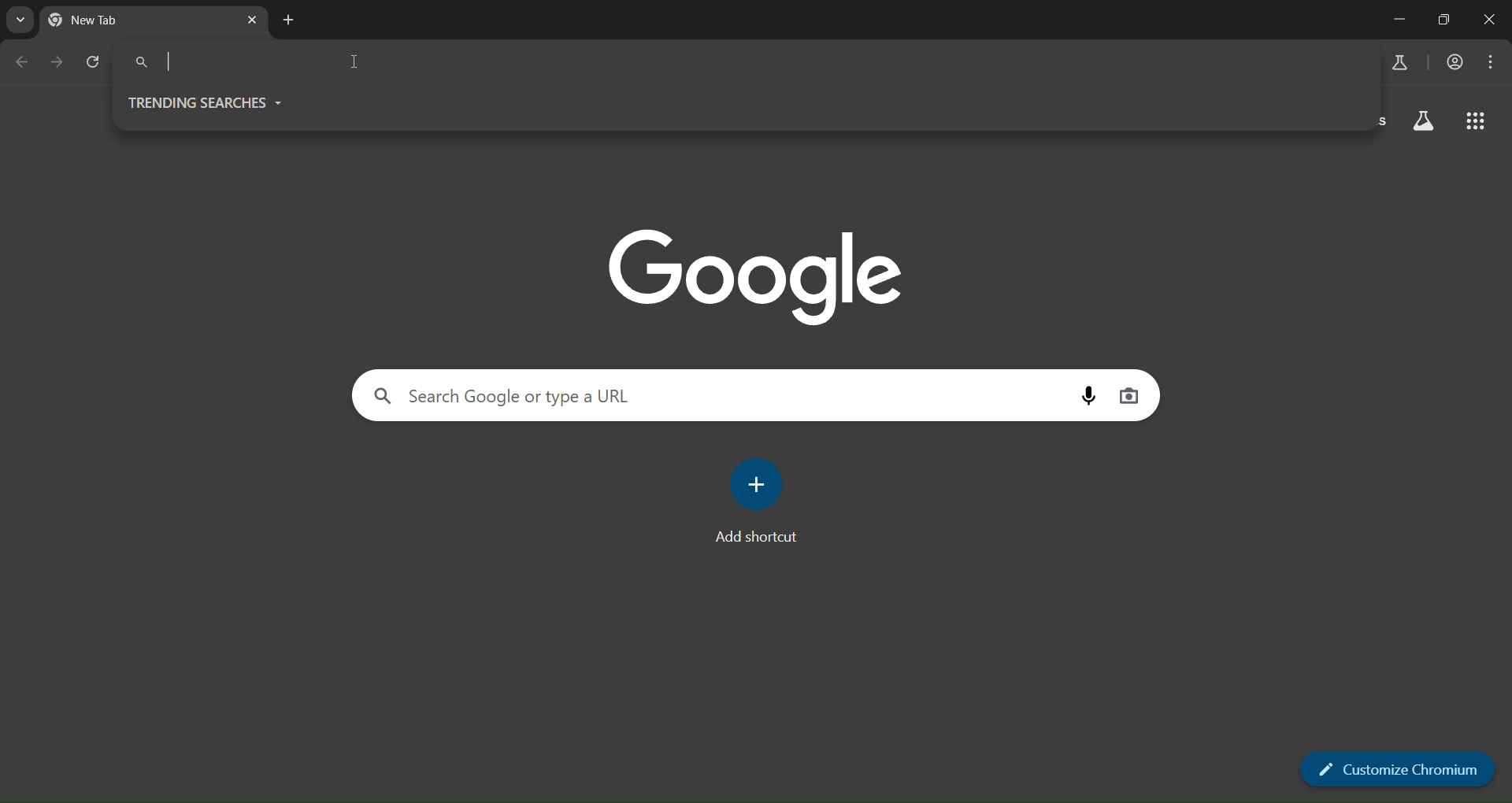  Describe the element at coordinates (287, 20) in the screenshot. I see `new tab` at that location.